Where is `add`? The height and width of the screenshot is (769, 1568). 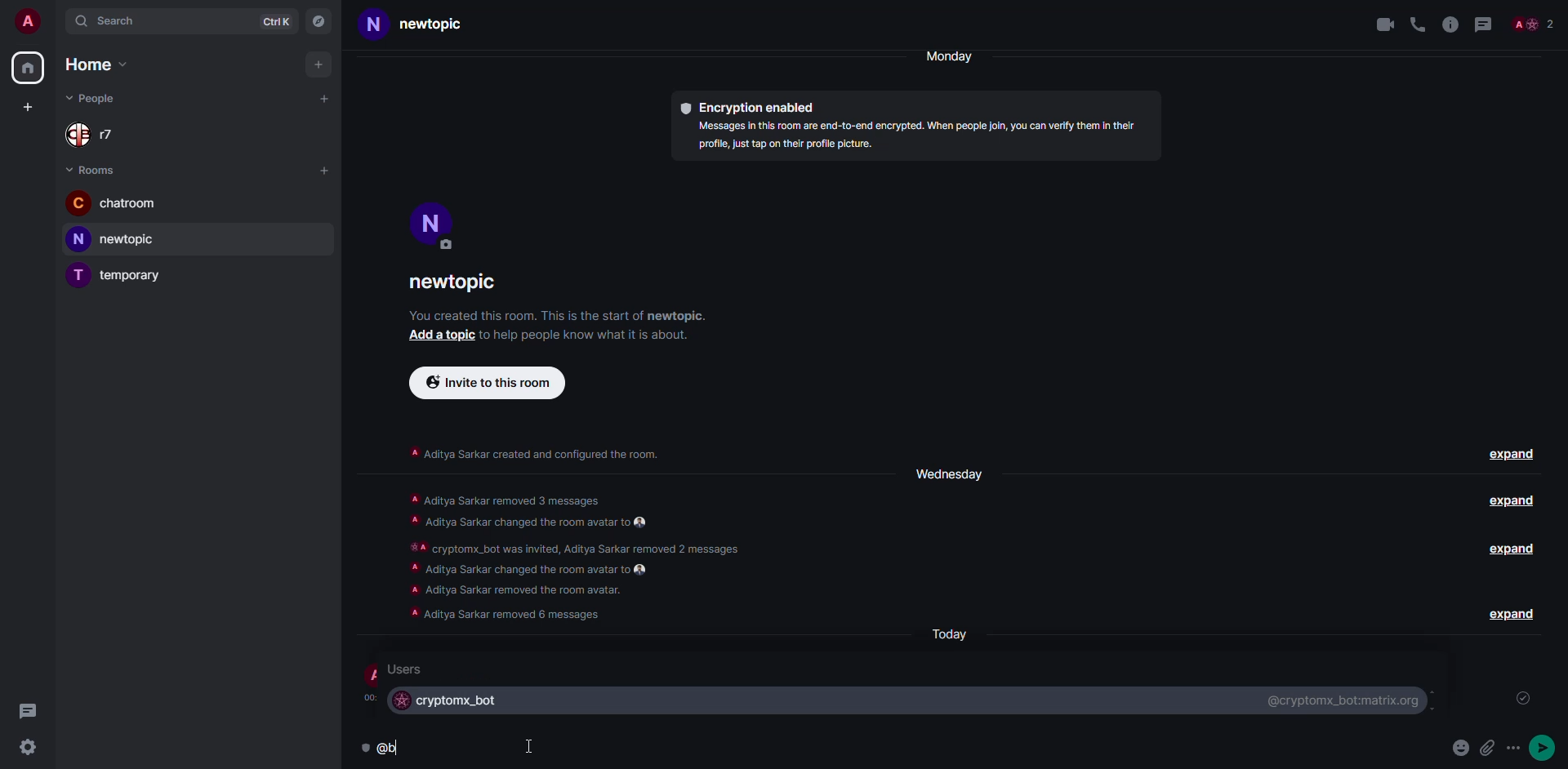
add is located at coordinates (438, 335).